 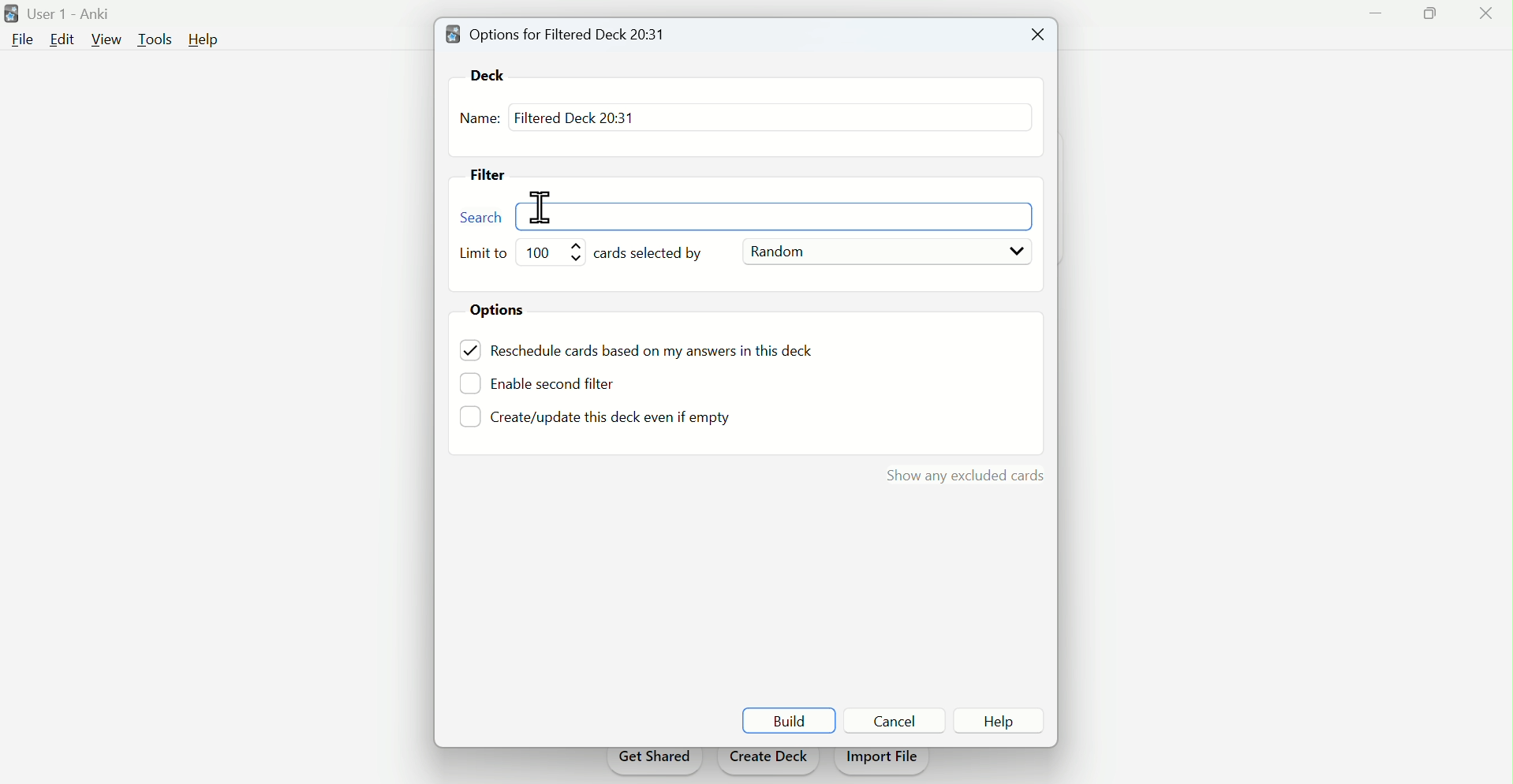 I want to click on , so click(x=999, y=721).